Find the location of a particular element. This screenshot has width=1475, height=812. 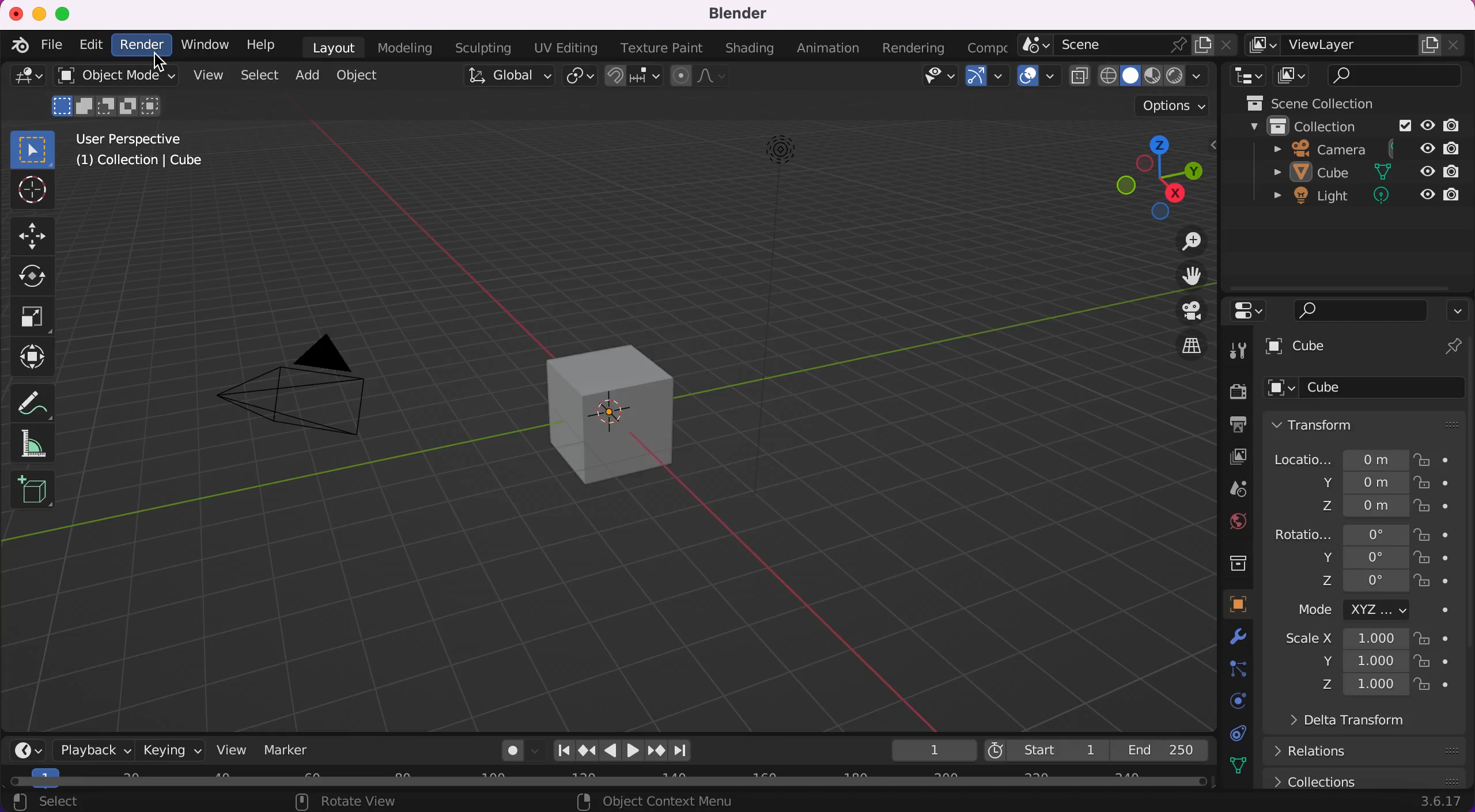

render is located at coordinates (1227, 390).